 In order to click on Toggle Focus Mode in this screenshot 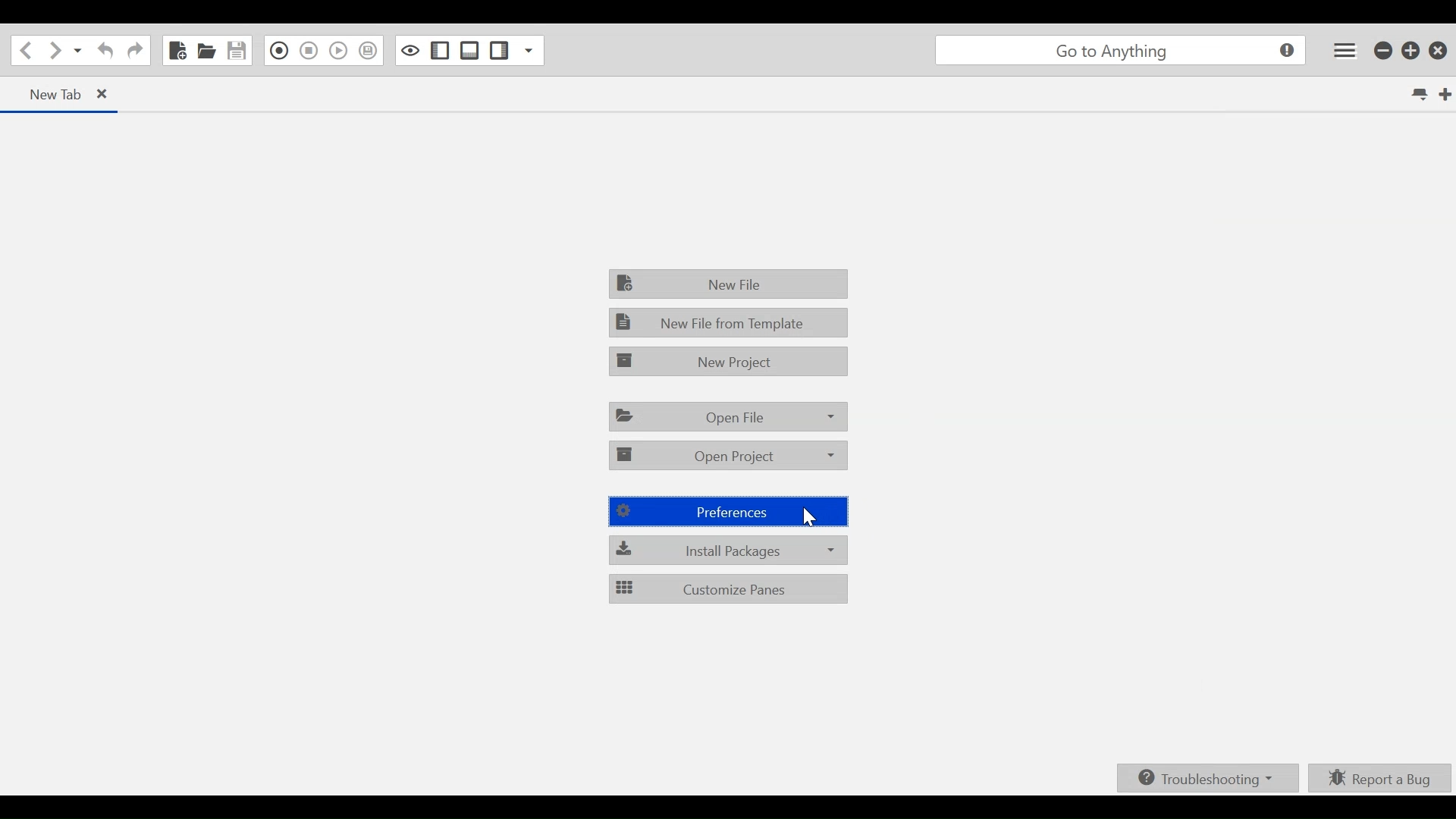, I will do `click(411, 50)`.